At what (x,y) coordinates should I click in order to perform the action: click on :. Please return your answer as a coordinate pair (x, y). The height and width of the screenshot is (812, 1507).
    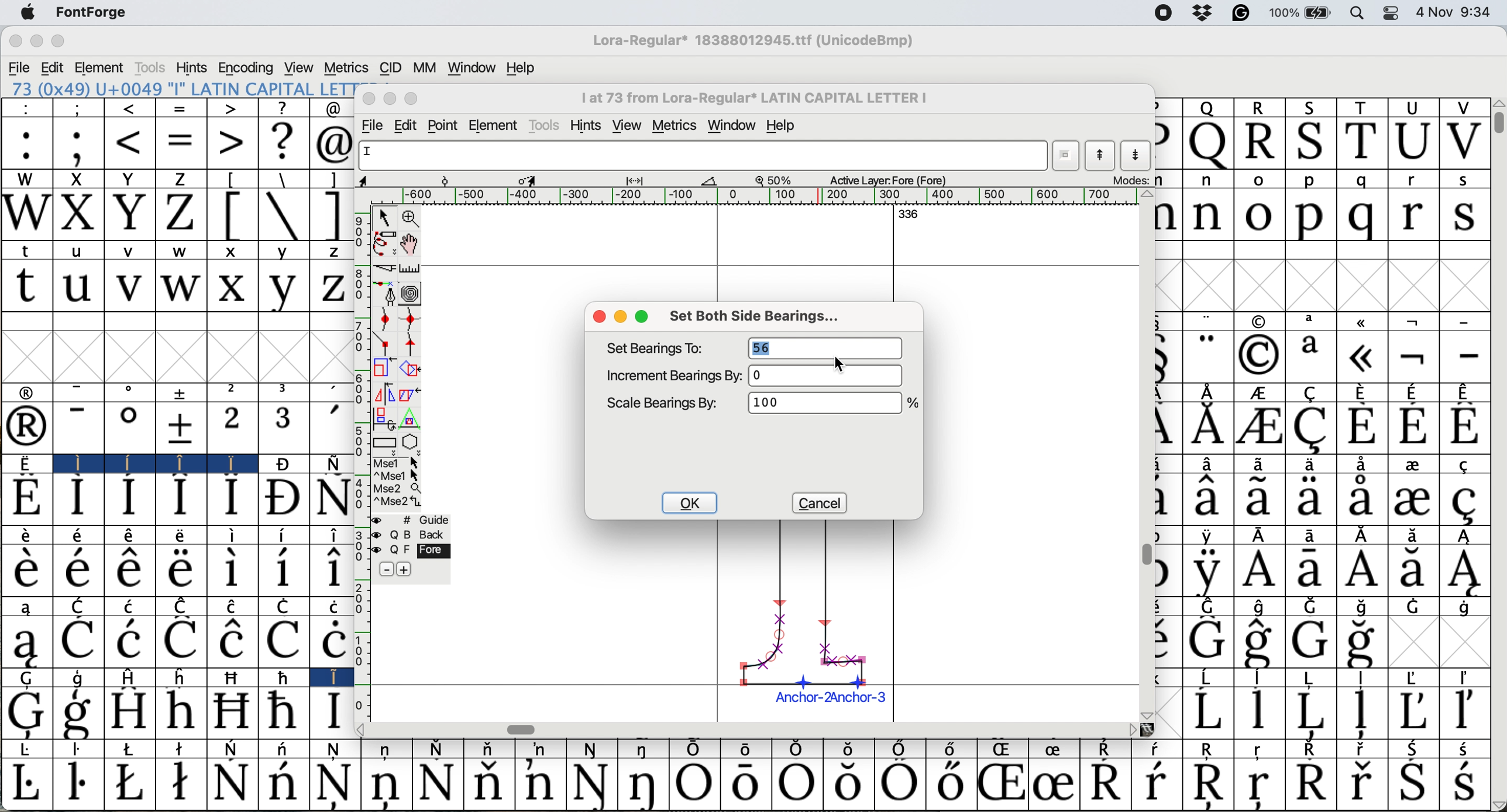
    Looking at the image, I should click on (25, 108).